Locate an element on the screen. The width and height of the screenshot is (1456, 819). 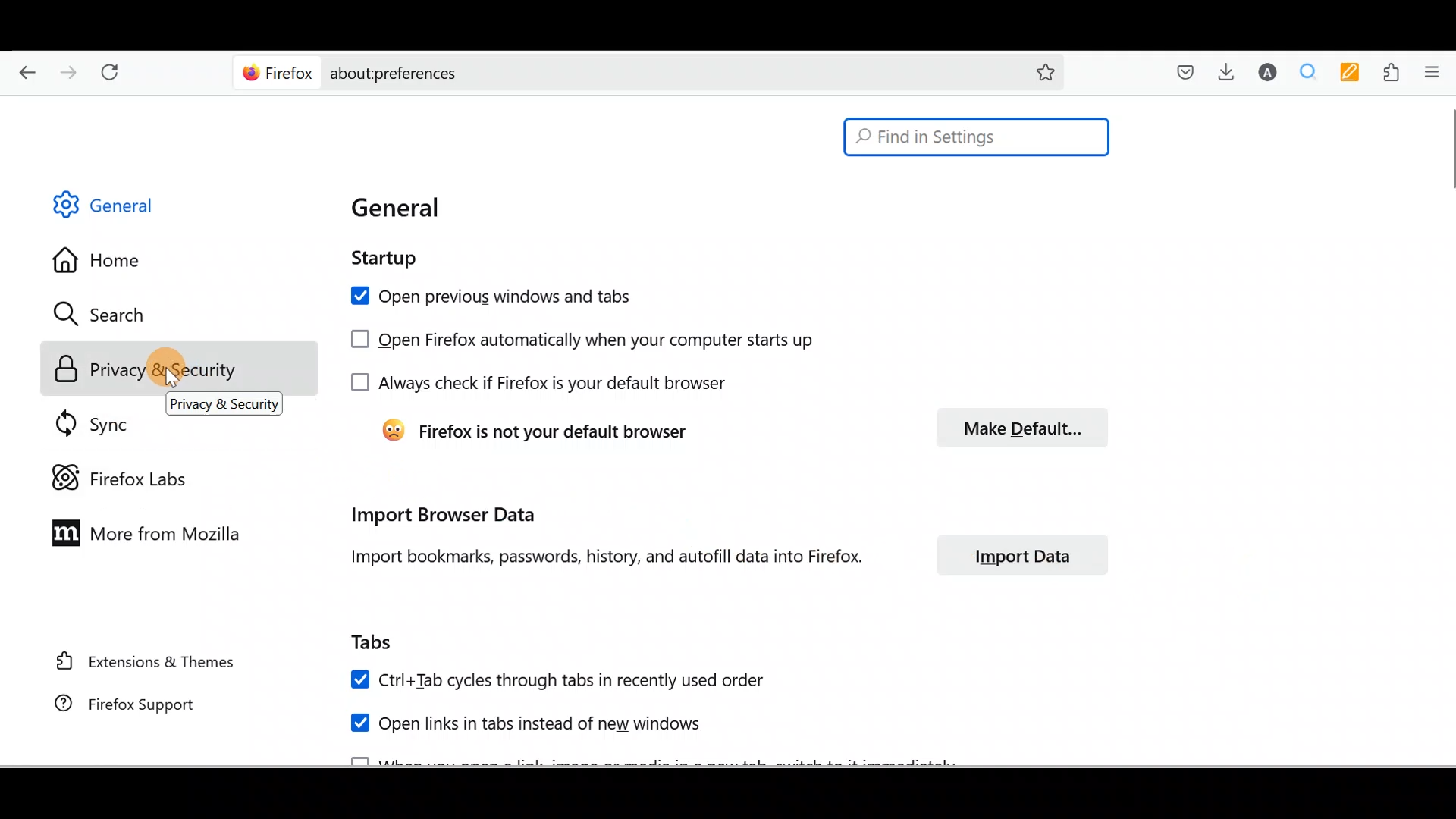
hover text: privacy & security is located at coordinates (224, 403).